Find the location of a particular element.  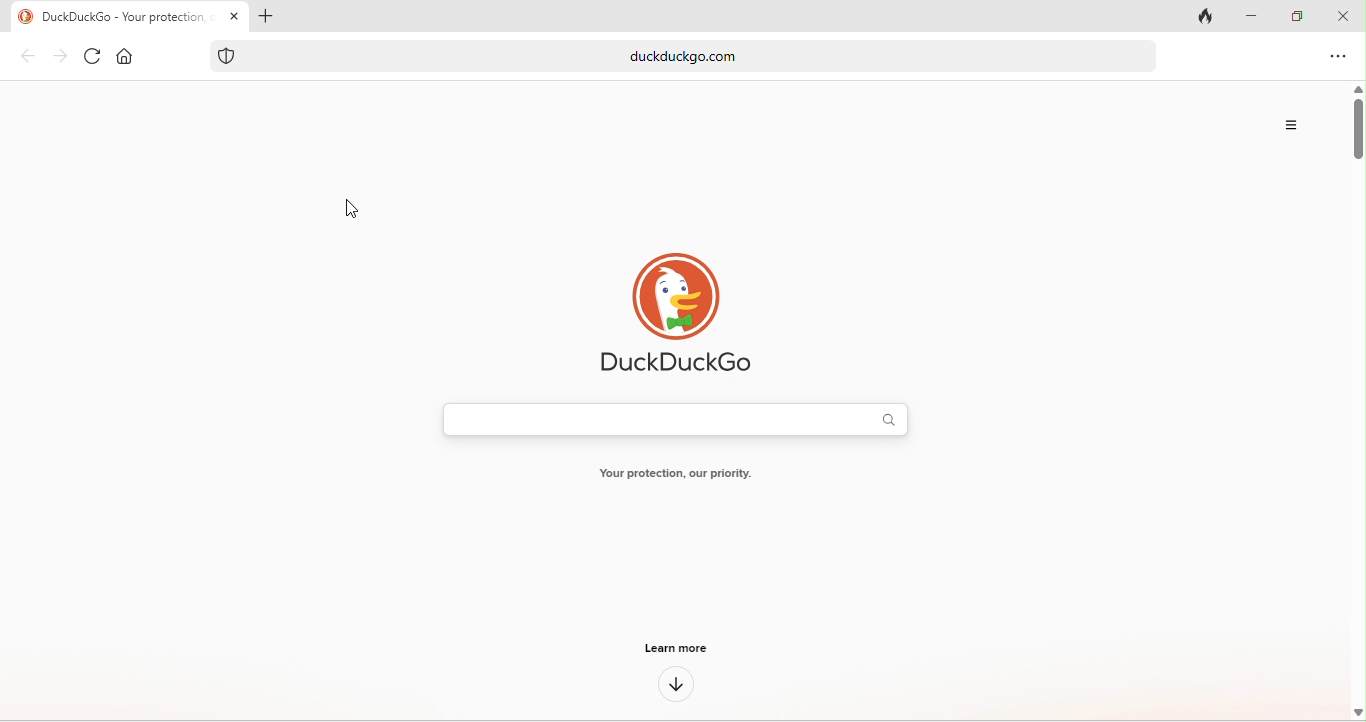

close is located at coordinates (1344, 17).